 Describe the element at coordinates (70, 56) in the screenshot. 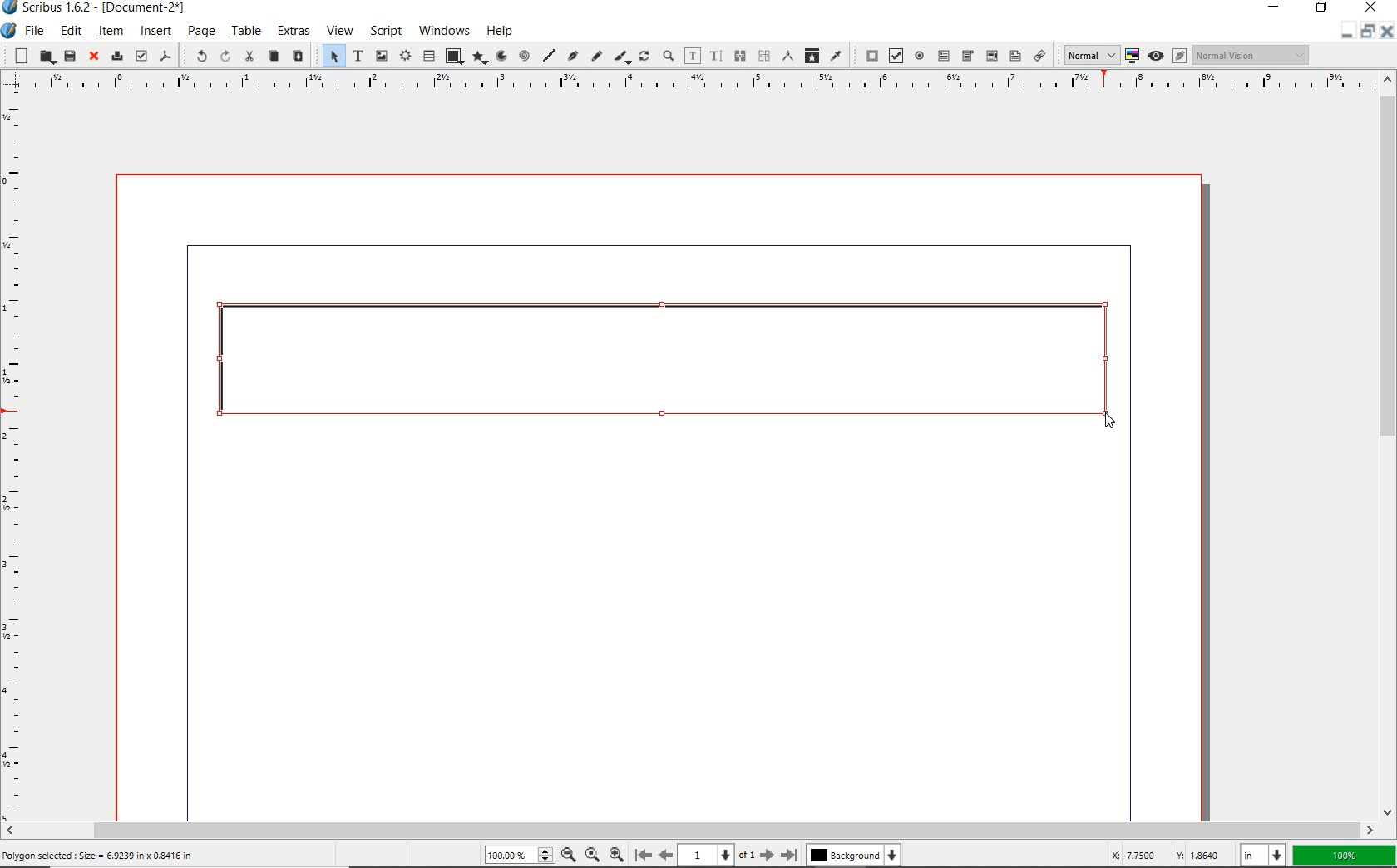

I see `save` at that location.